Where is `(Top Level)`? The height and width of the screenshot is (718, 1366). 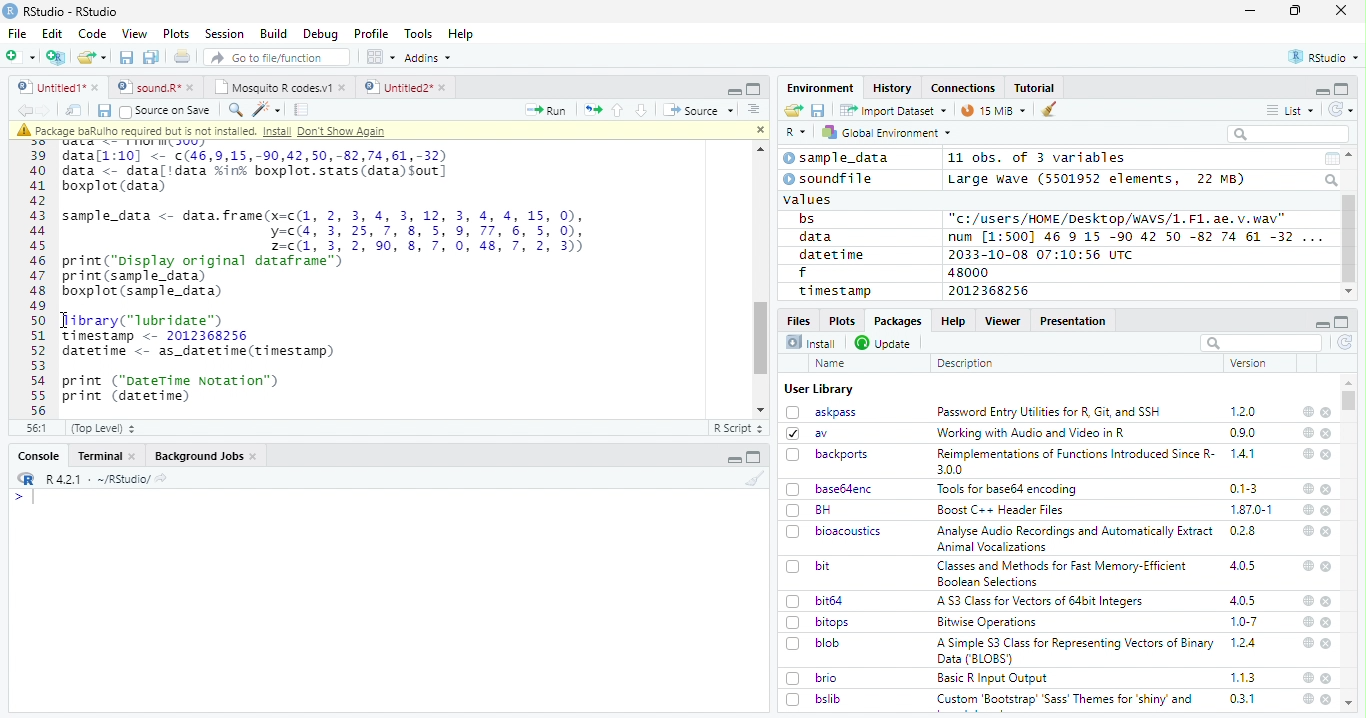
(Top Level) is located at coordinates (102, 428).